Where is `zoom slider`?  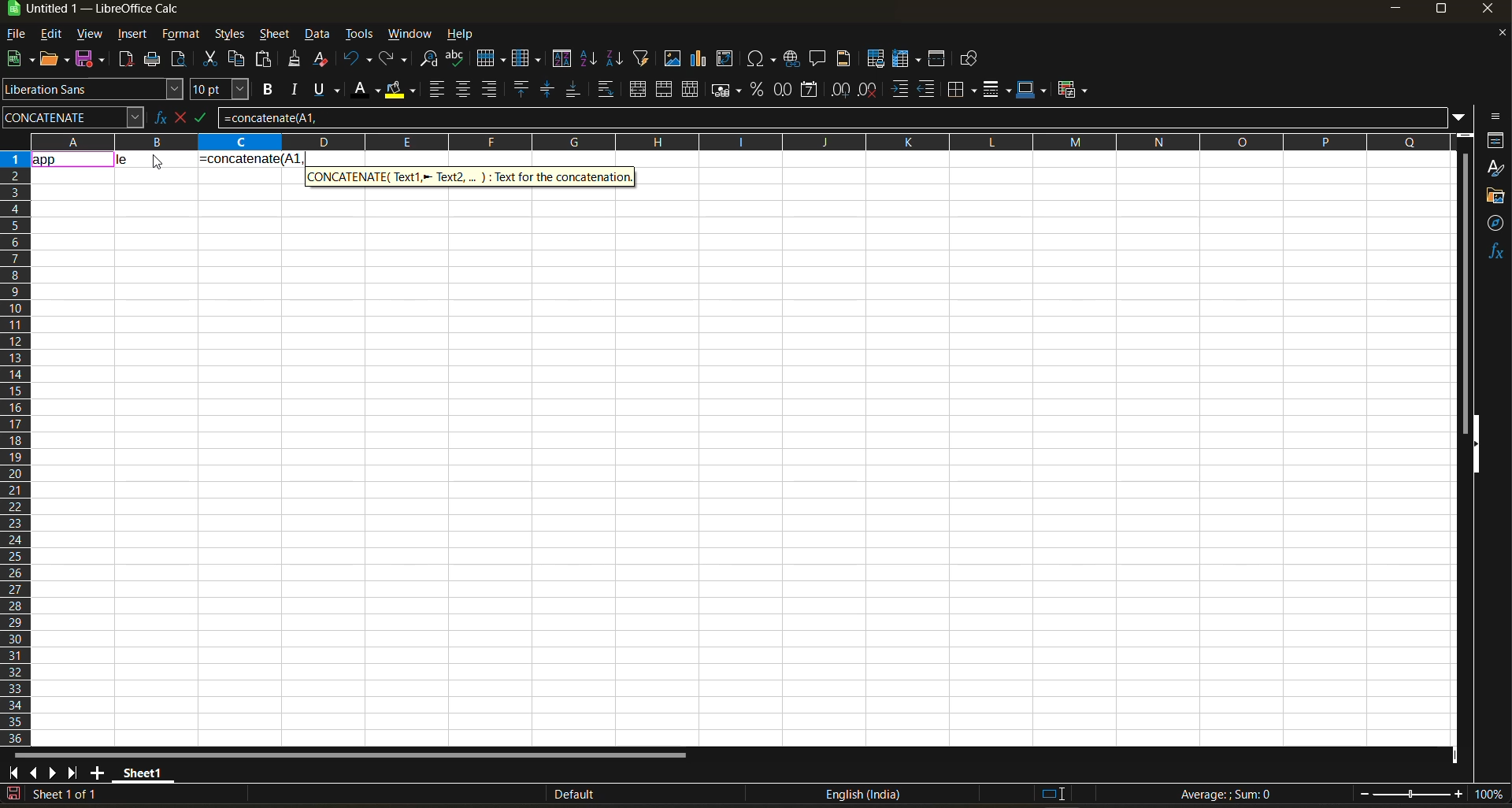 zoom slider is located at coordinates (1411, 795).